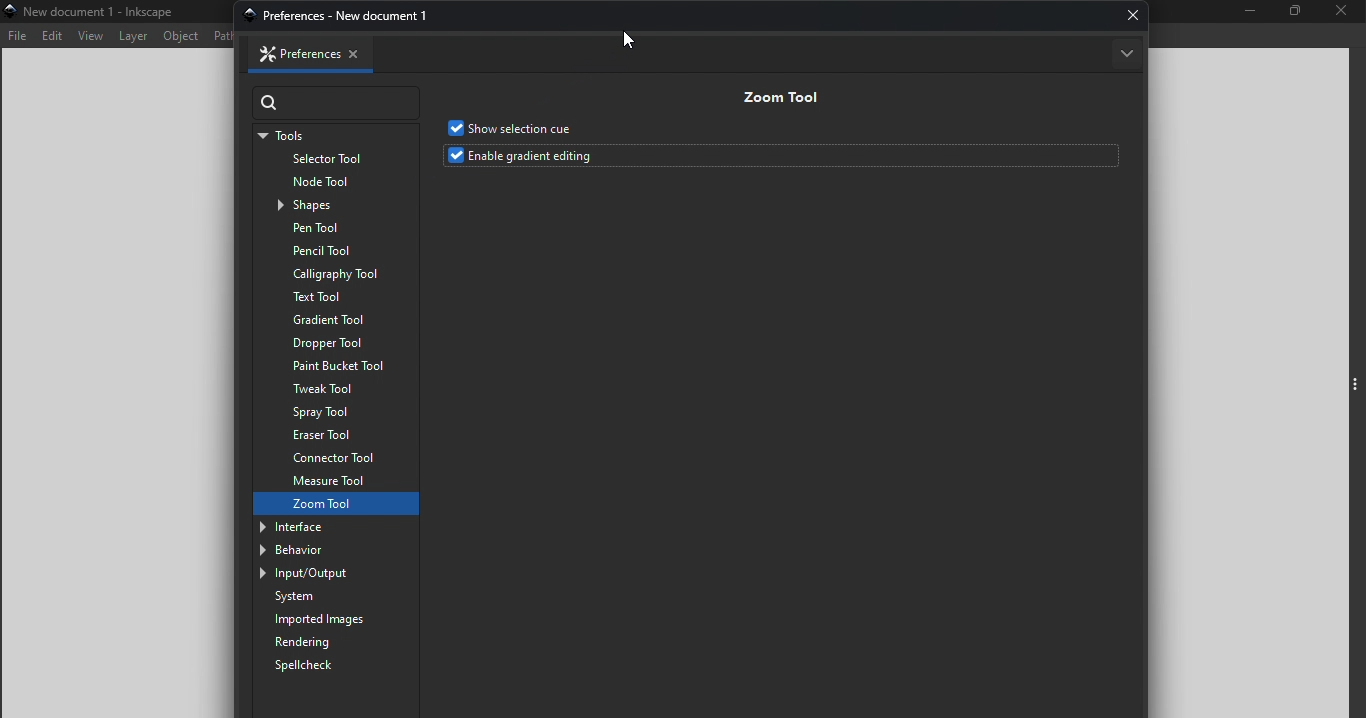 Image resolution: width=1366 pixels, height=718 pixels. What do you see at coordinates (131, 38) in the screenshot?
I see `Layer` at bounding box center [131, 38].